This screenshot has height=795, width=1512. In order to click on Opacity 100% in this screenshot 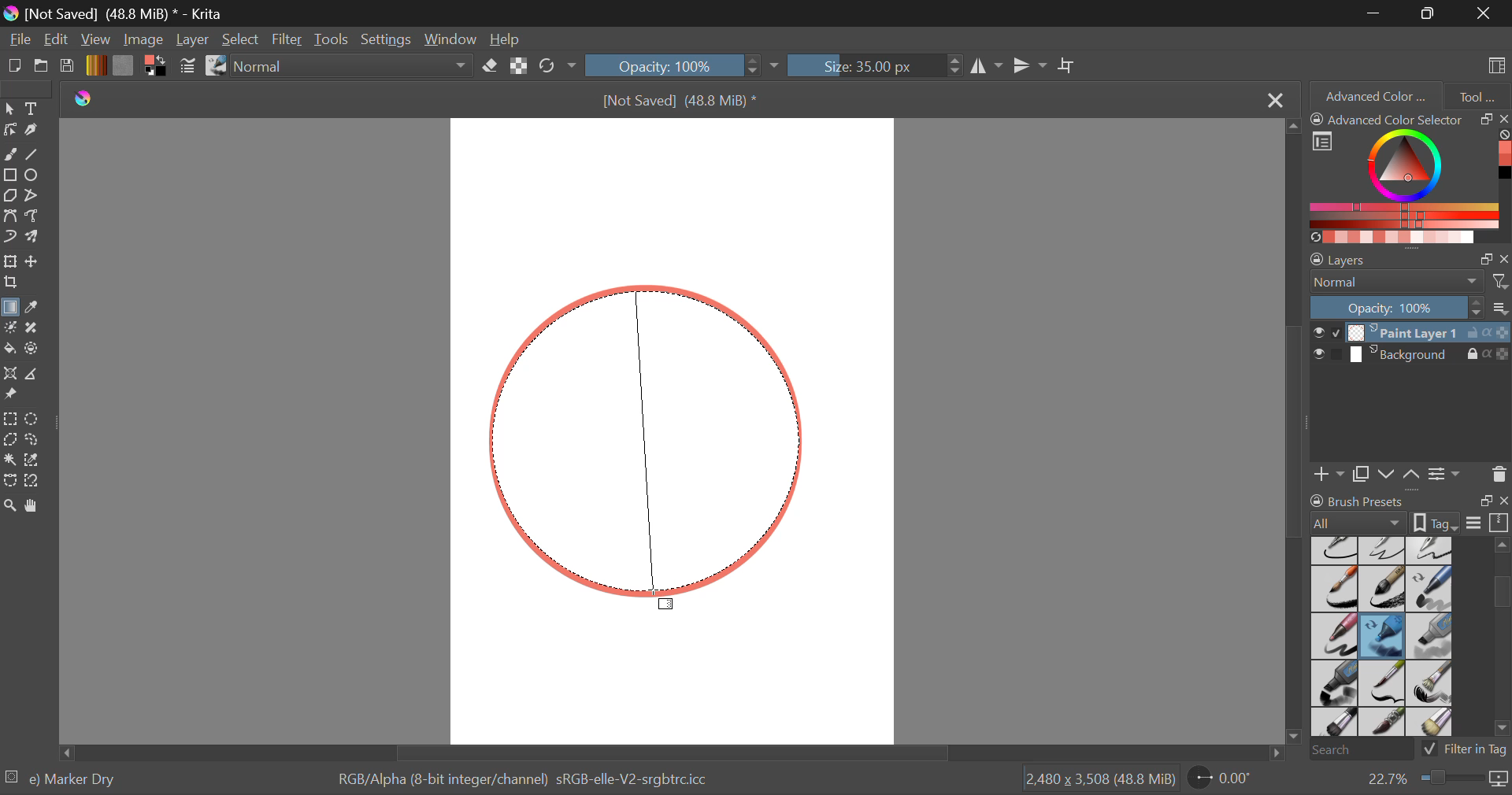, I will do `click(672, 65)`.